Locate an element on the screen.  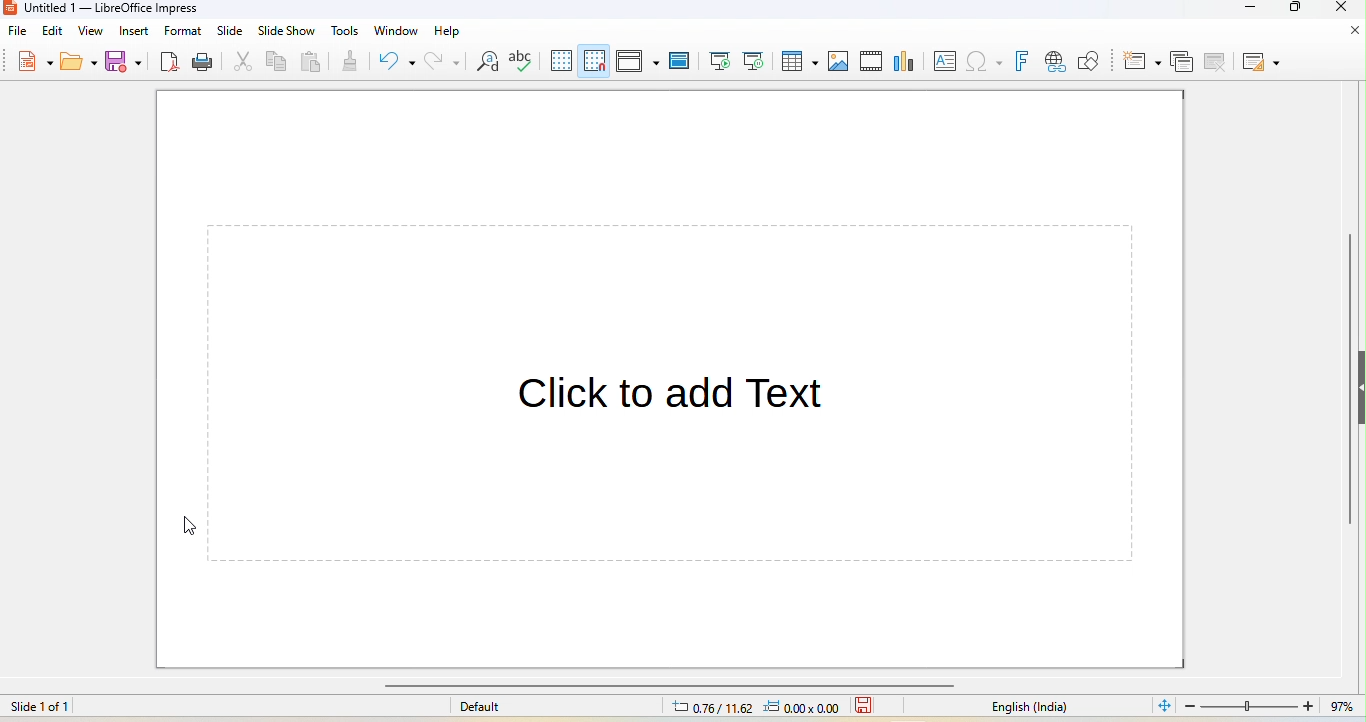
undo is located at coordinates (397, 62).